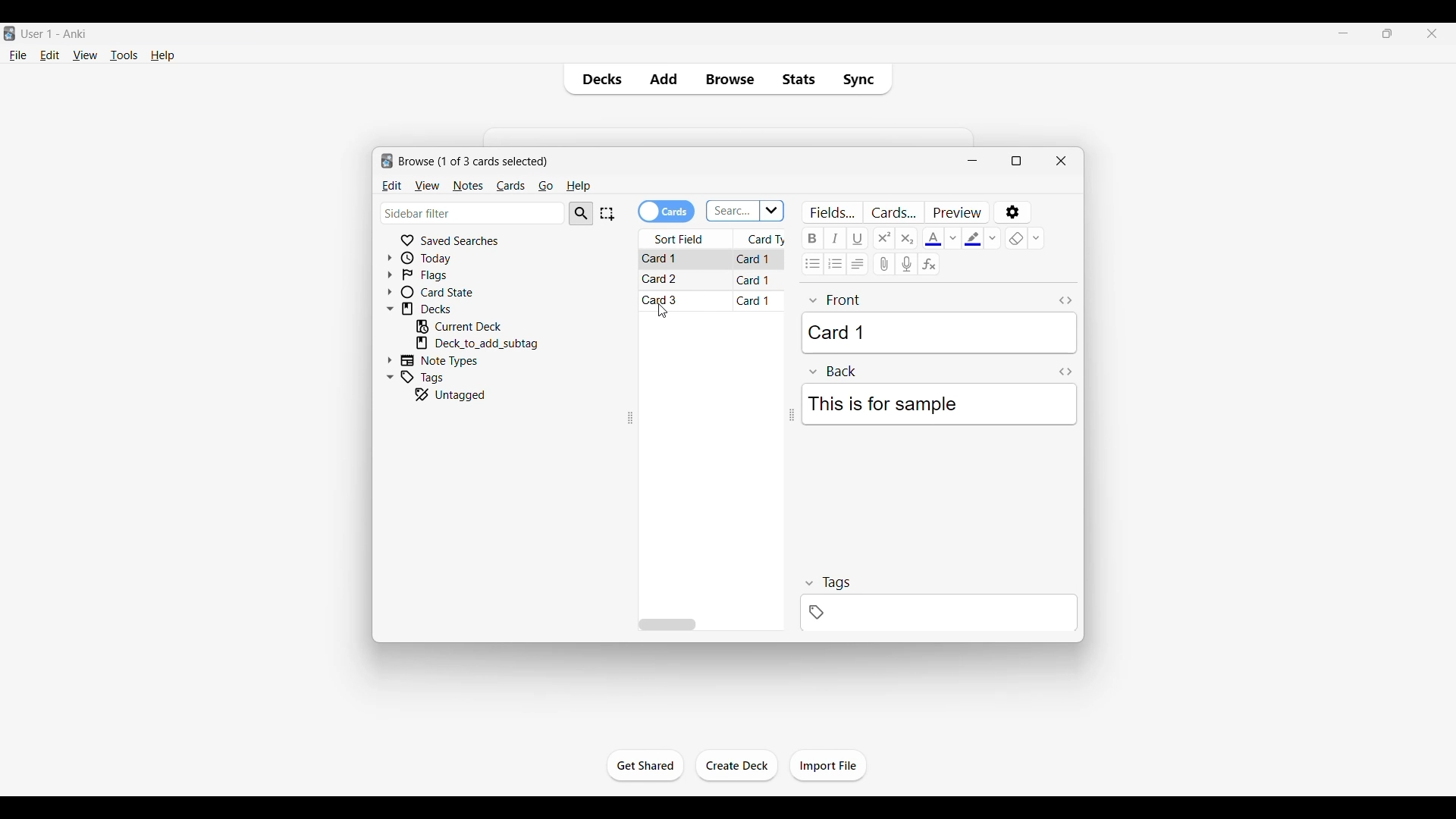  Describe the element at coordinates (162, 55) in the screenshot. I see `Help menu` at that location.